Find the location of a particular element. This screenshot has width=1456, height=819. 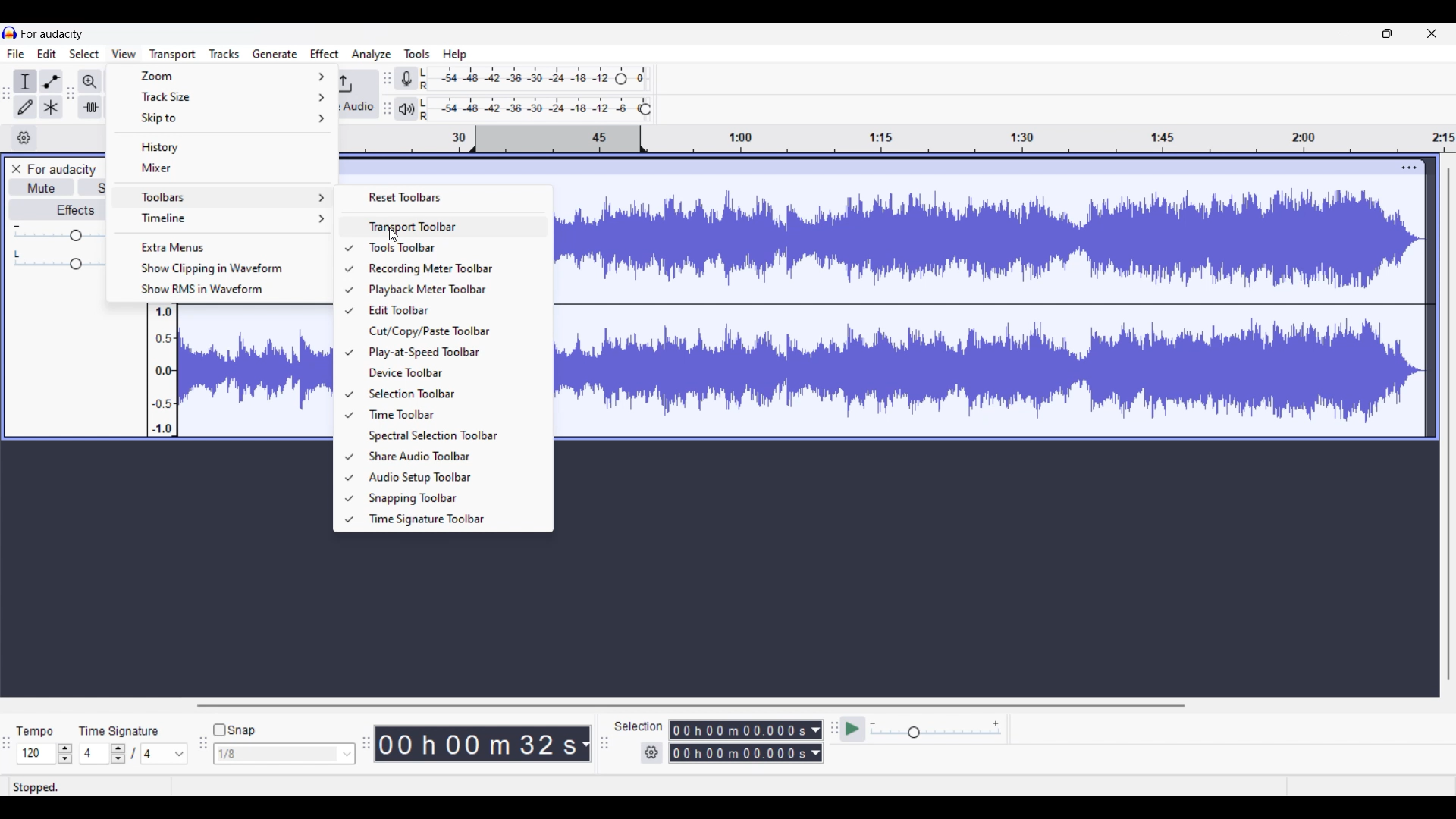

Zoom options is located at coordinates (223, 75).